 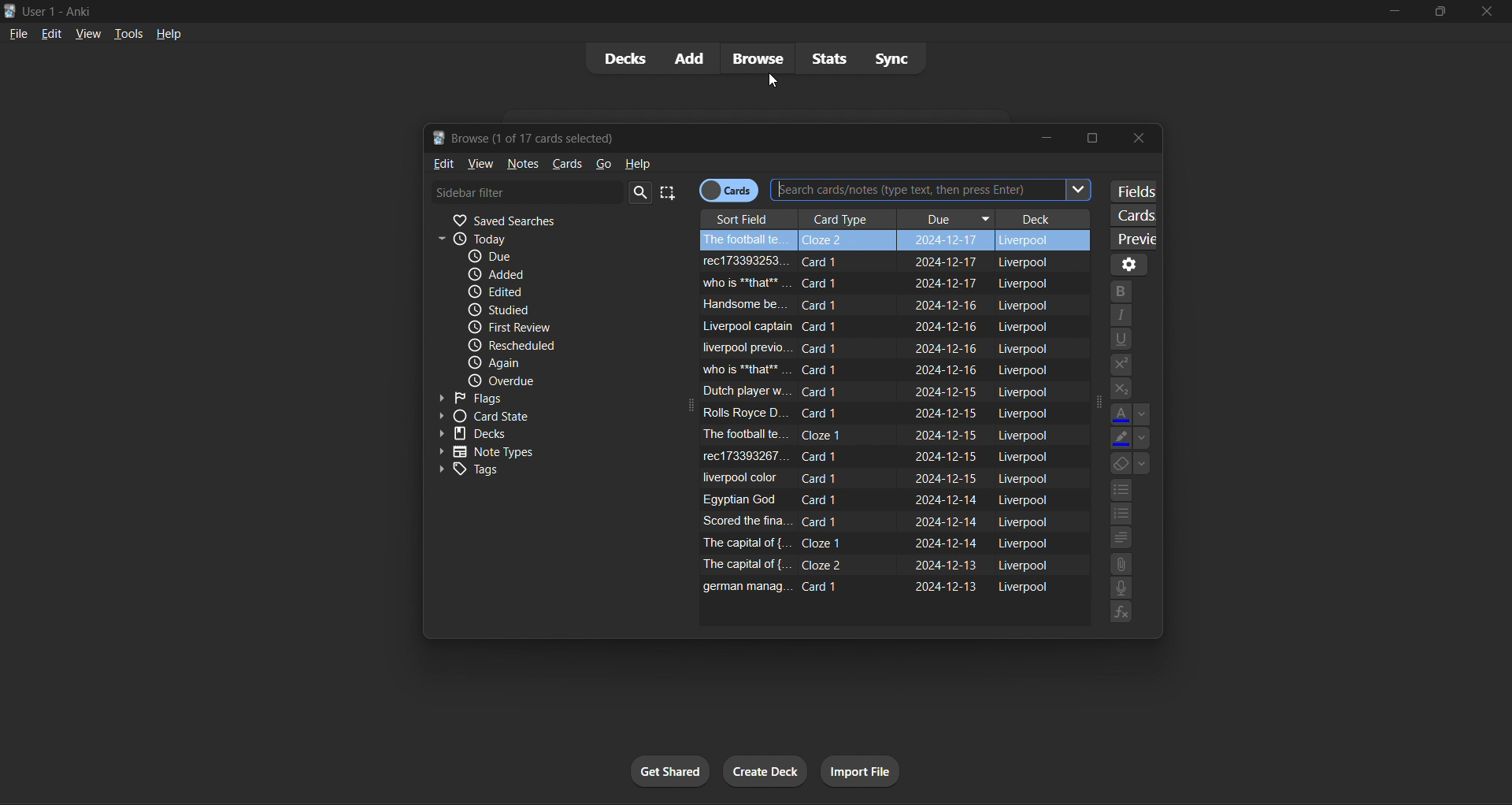 What do you see at coordinates (944, 544) in the screenshot?
I see `due date` at bounding box center [944, 544].